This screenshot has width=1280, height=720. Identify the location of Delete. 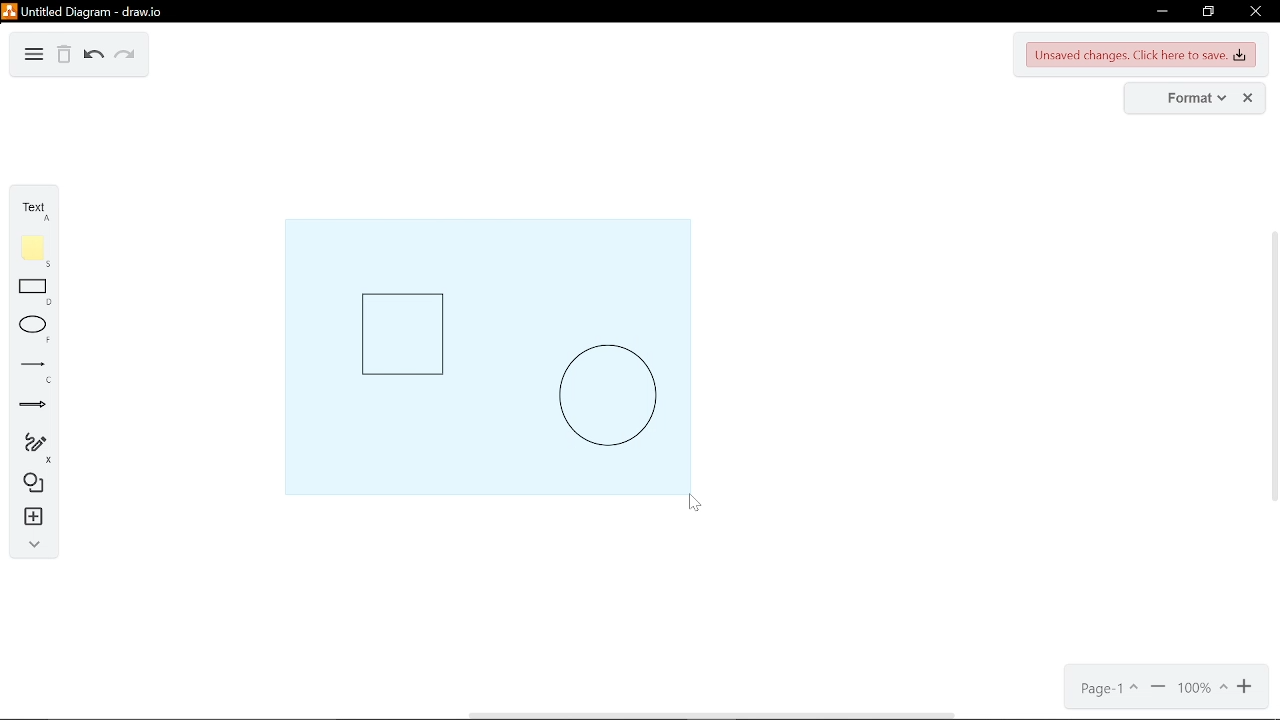
(64, 56).